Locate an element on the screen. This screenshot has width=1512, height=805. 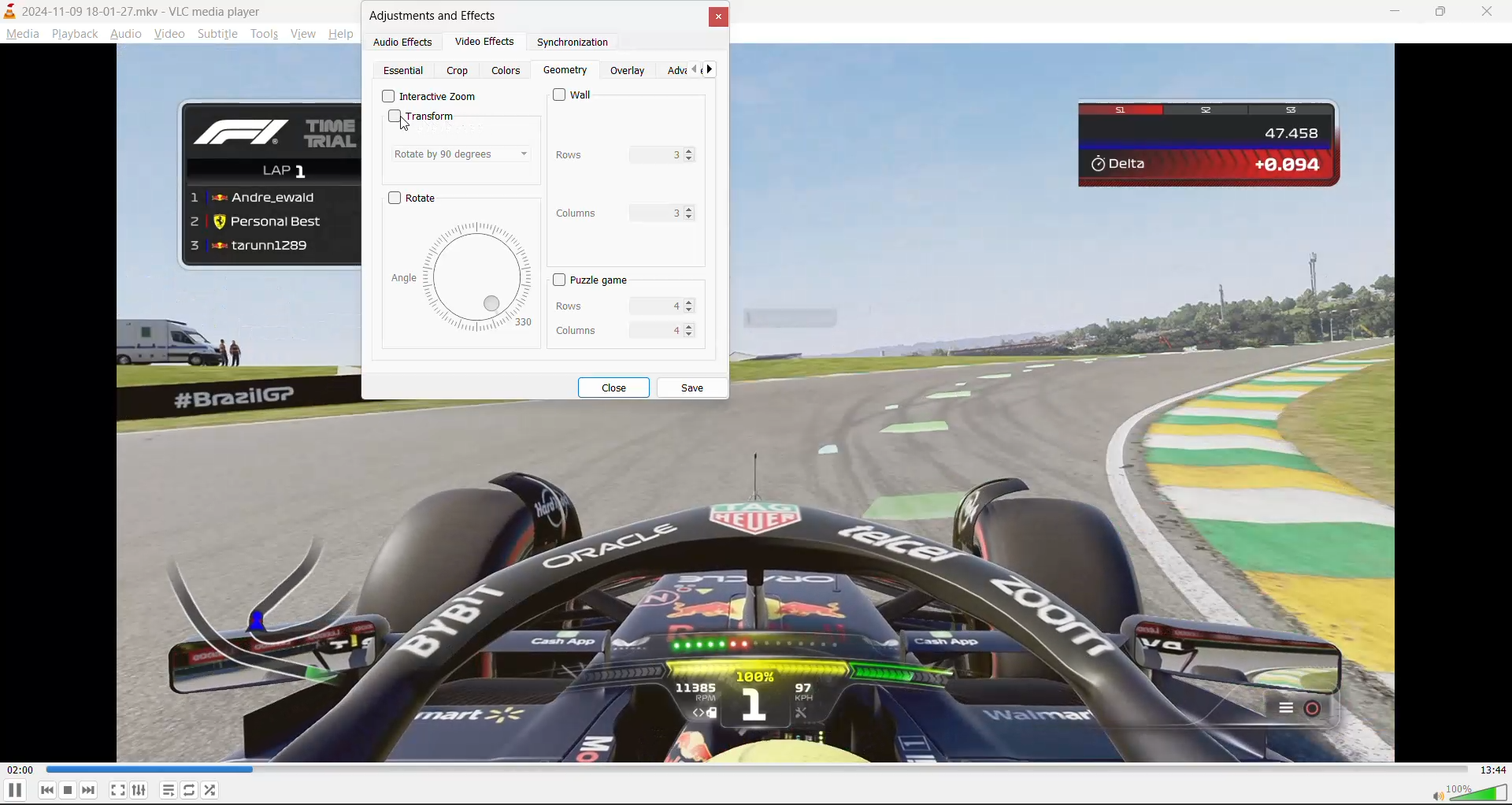
decrease is located at coordinates (691, 217).